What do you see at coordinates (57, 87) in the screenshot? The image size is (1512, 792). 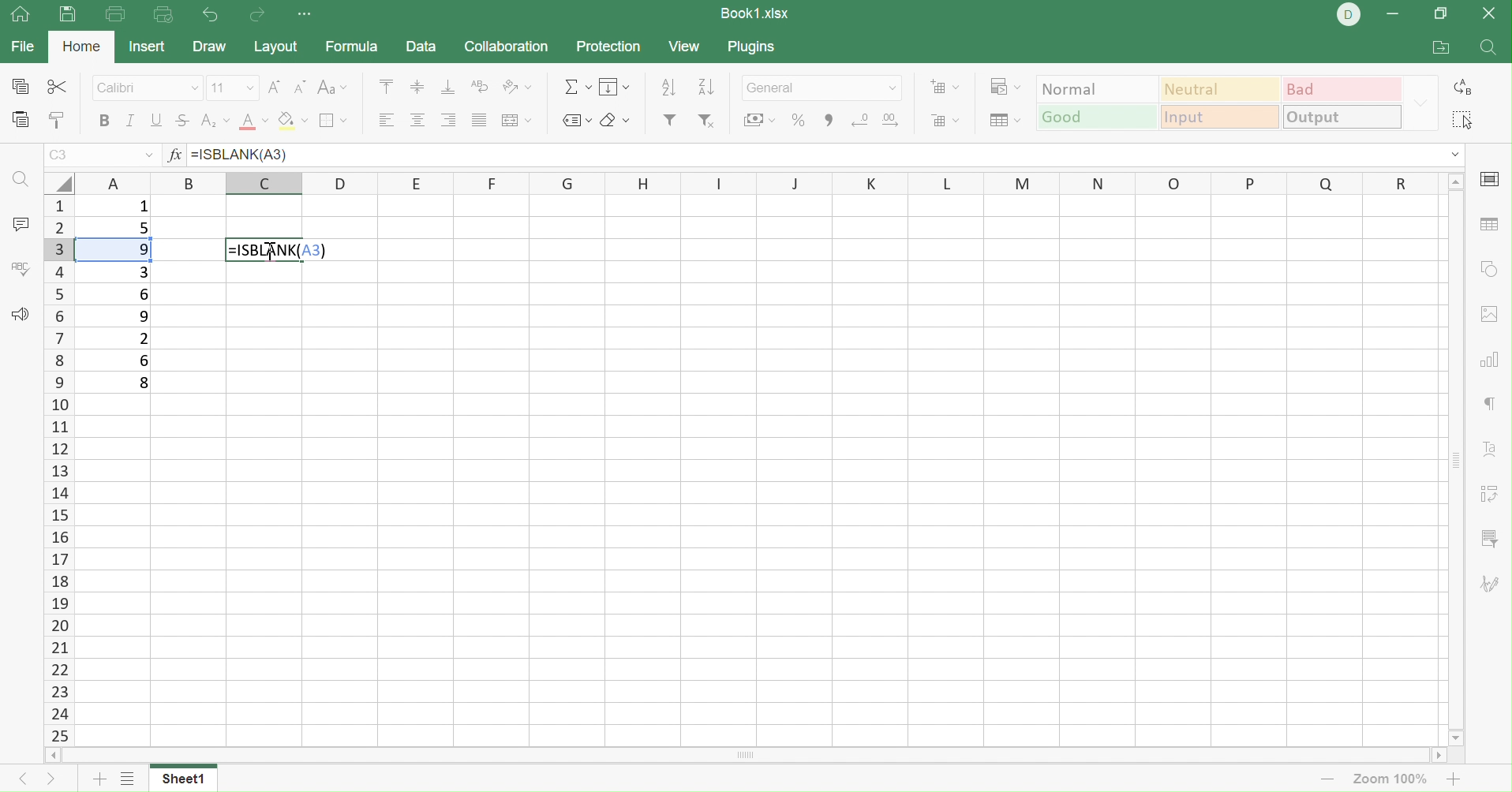 I see `Cut` at bounding box center [57, 87].